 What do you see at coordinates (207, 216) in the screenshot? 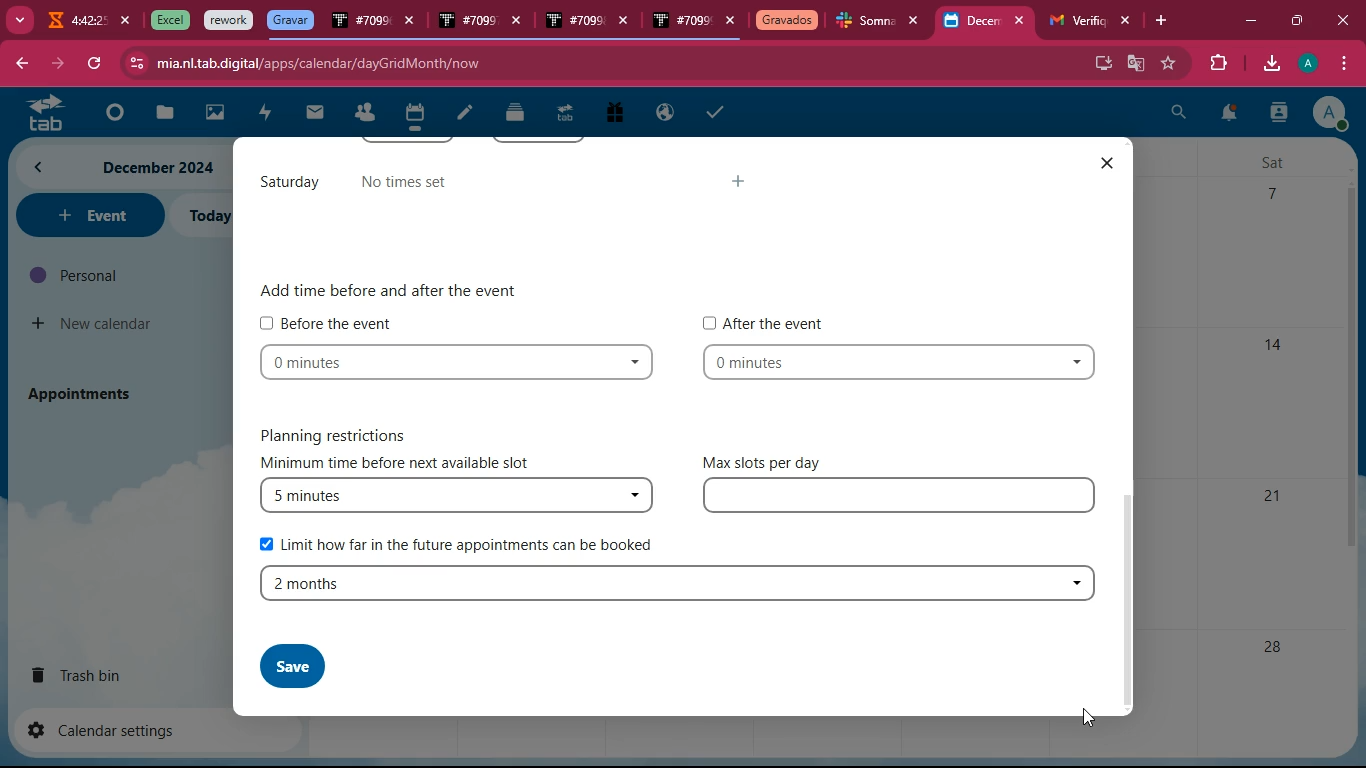
I see `today` at bounding box center [207, 216].